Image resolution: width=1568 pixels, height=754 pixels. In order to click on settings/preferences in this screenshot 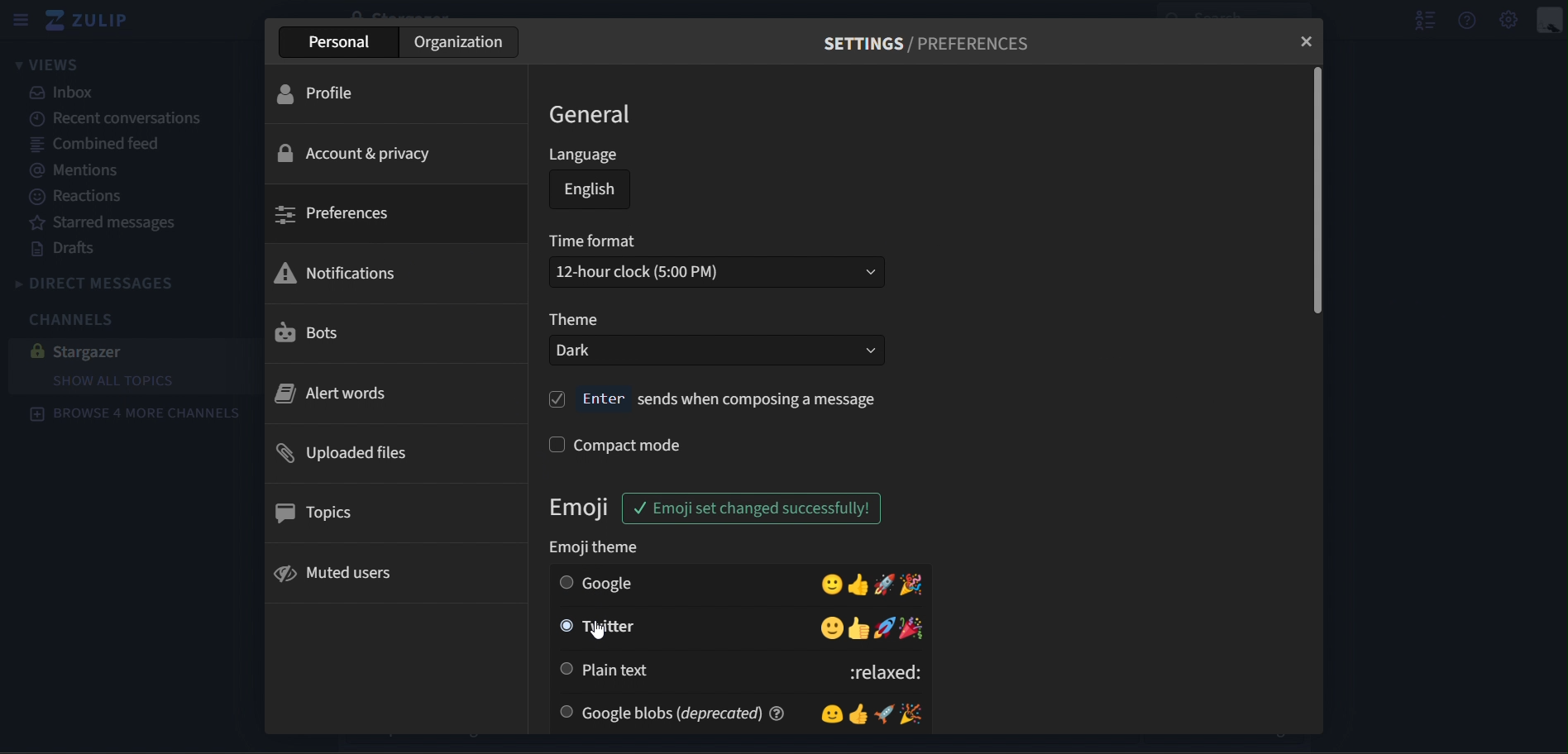, I will do `click(935, 44)`.